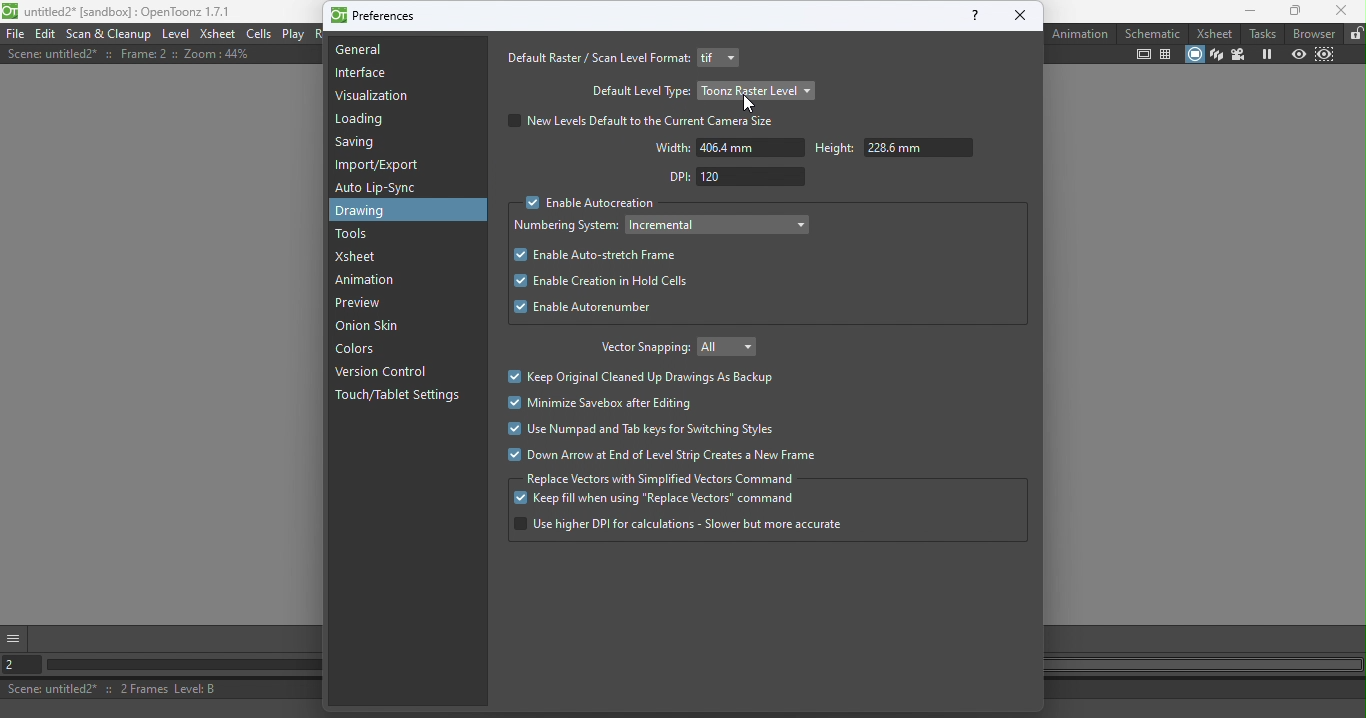 This screenshot has height=718, width=1366. I want to click on Visualization, so click(375, 96).